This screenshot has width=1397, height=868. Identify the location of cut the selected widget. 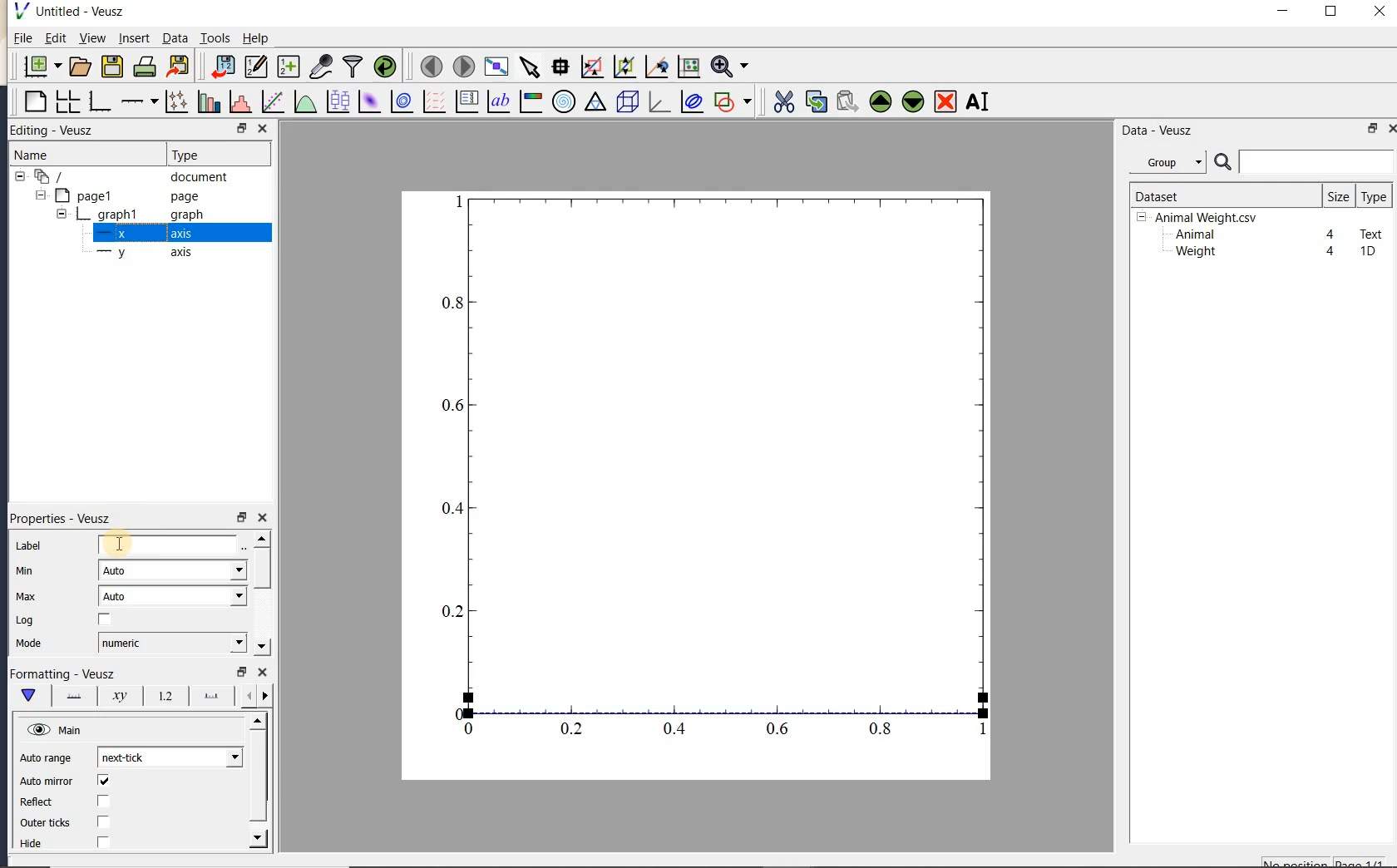
(782, 102).